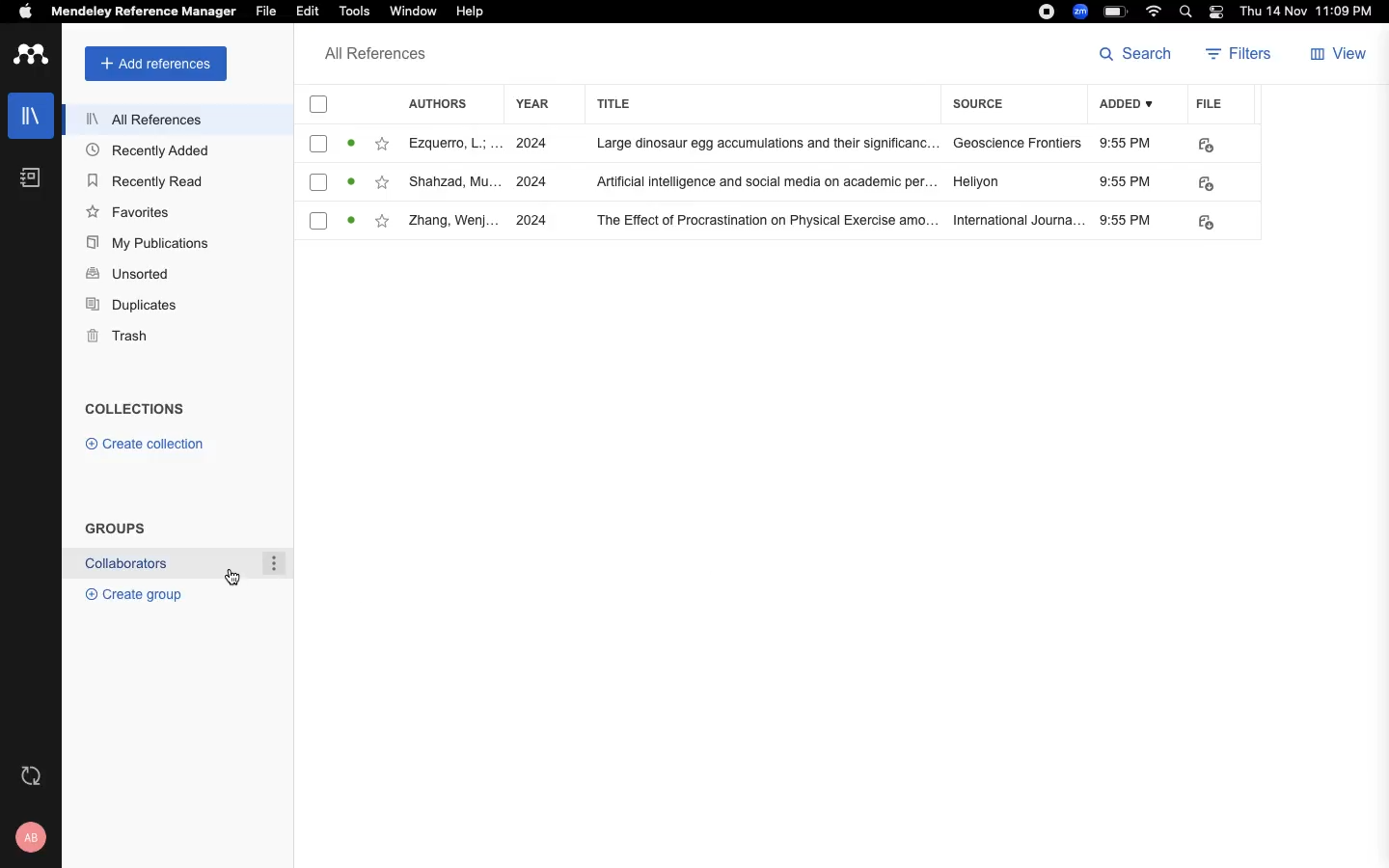 Image resolution: width=1389 pixels, height=868 pixels. Describe the element at coordinates (354, 13) in the screenshot. I see `Tools` at that location.